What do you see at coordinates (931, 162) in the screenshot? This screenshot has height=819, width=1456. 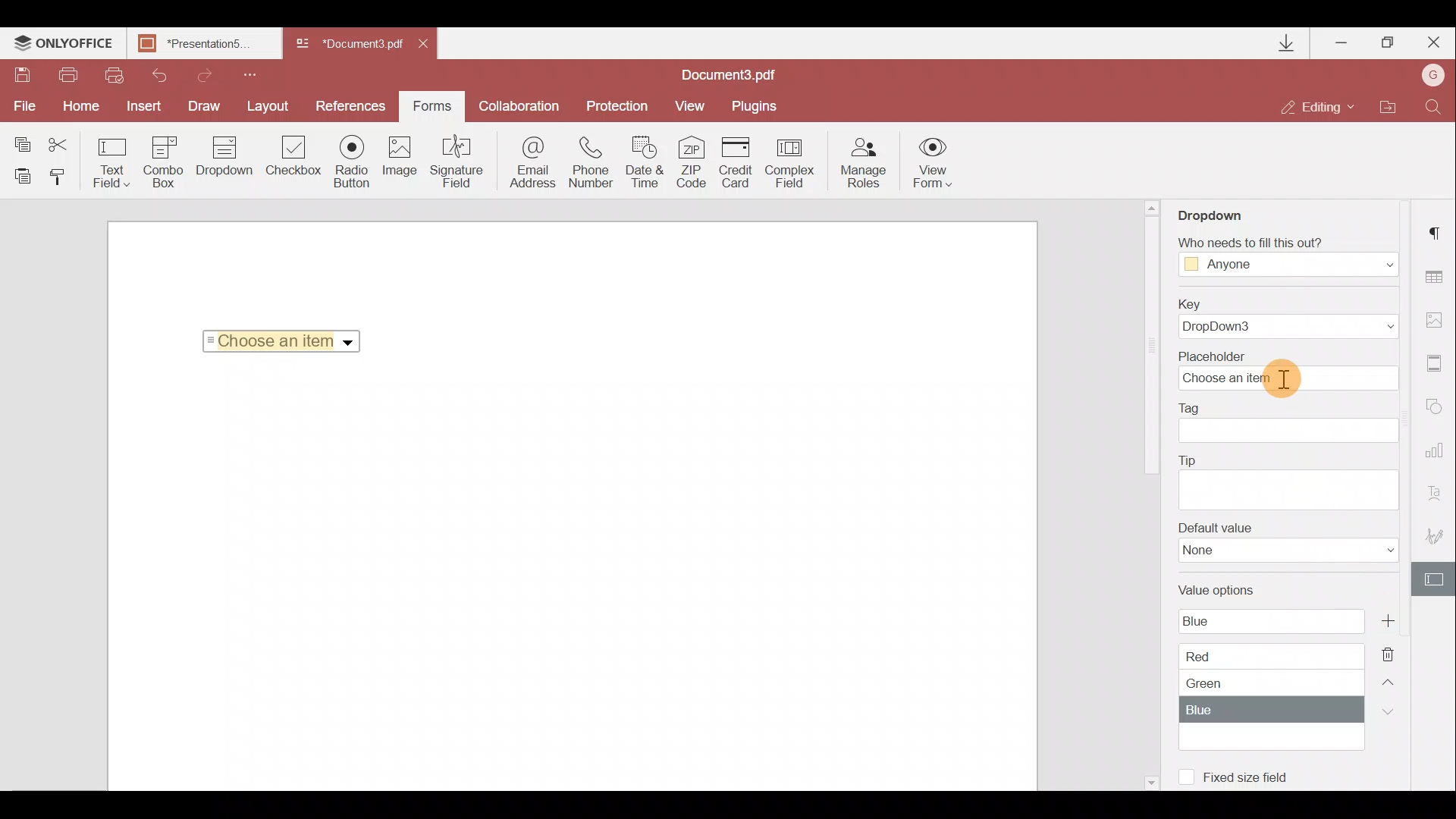 I see `View form` at bounding box center [931, 162].